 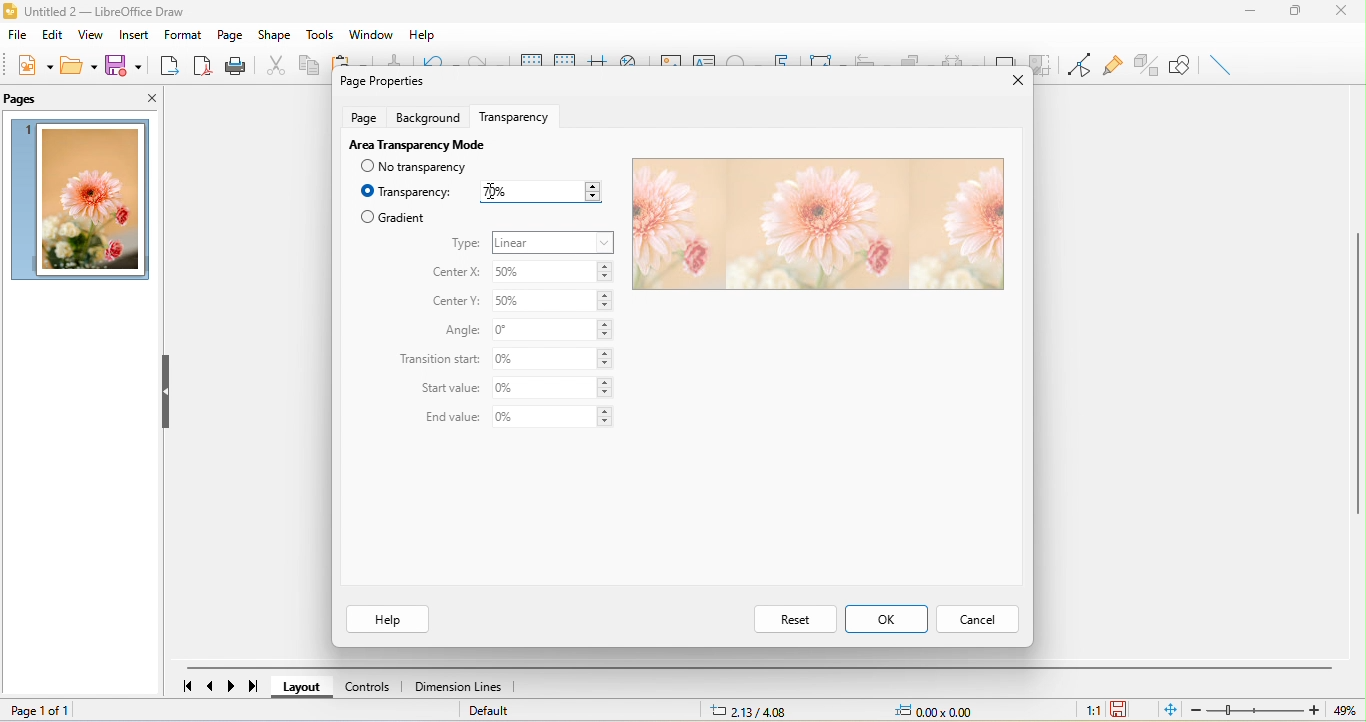 I want to click on angle, so click(x=458, y=331).